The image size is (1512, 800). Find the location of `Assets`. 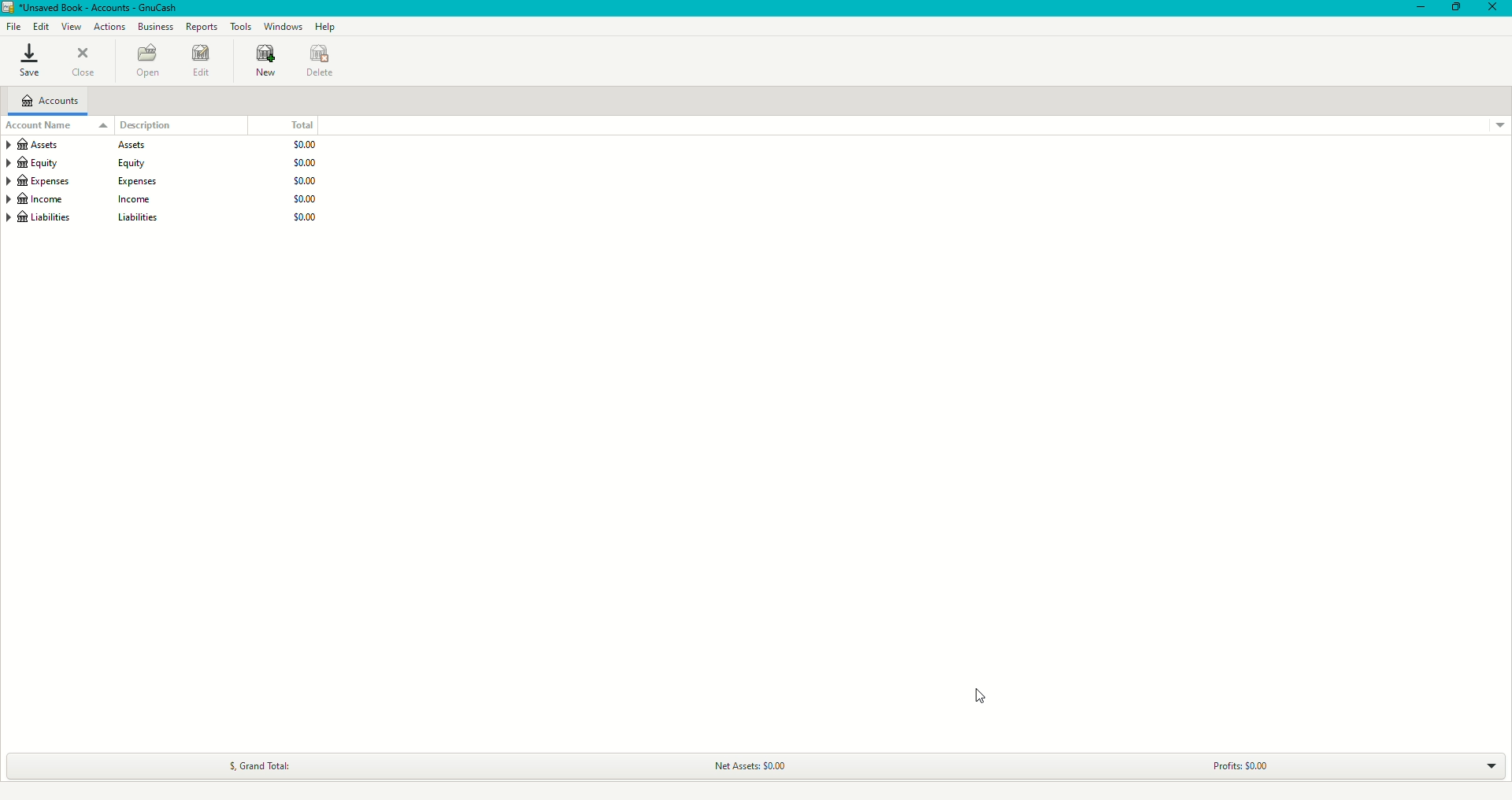

Assets is located at coordinates (163, 143).